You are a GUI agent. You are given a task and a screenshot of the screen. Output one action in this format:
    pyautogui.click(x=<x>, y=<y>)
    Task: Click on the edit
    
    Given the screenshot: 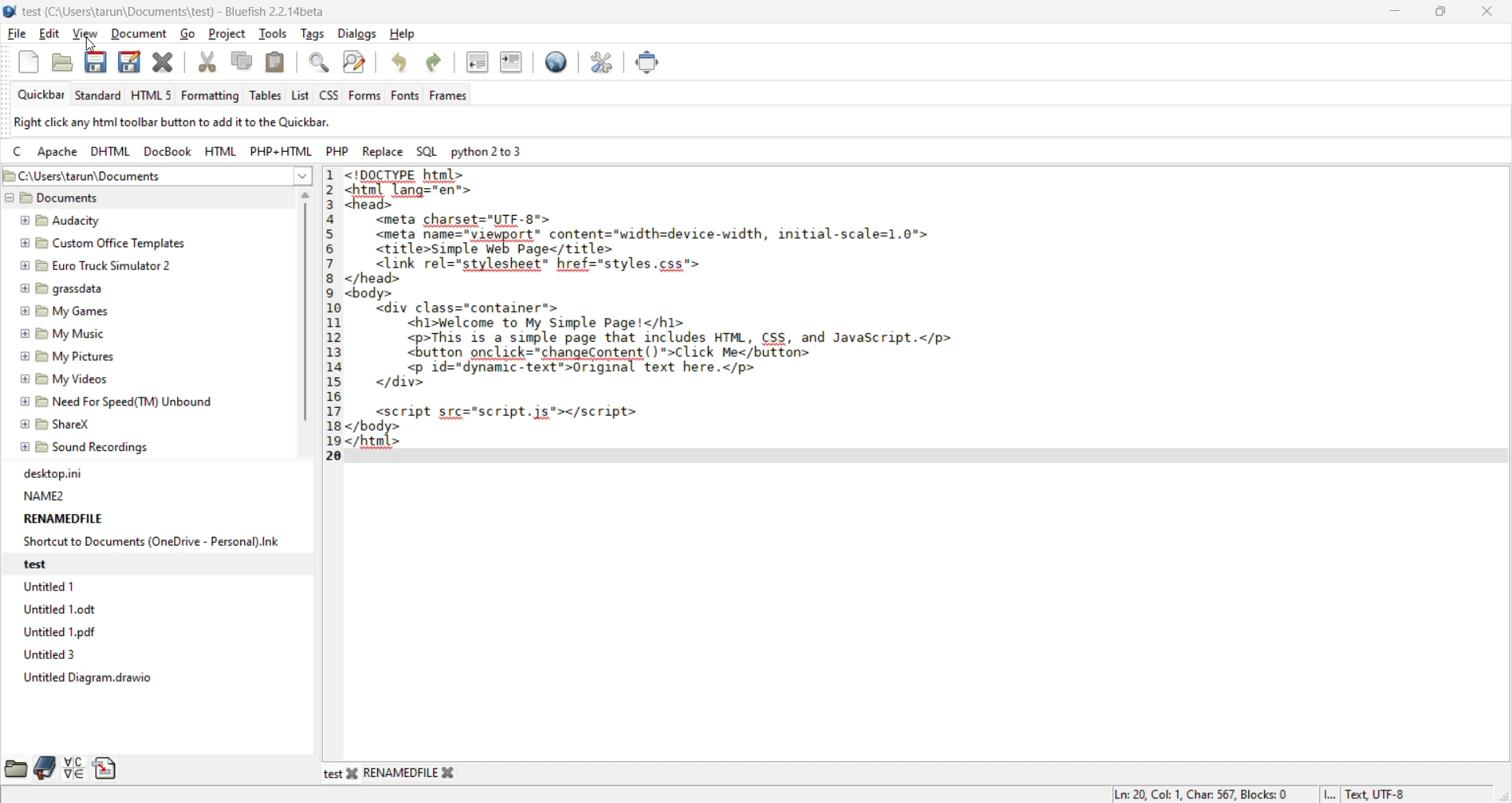 What is the action you would take?
    pyautogui.click(x=51, y=35)
    